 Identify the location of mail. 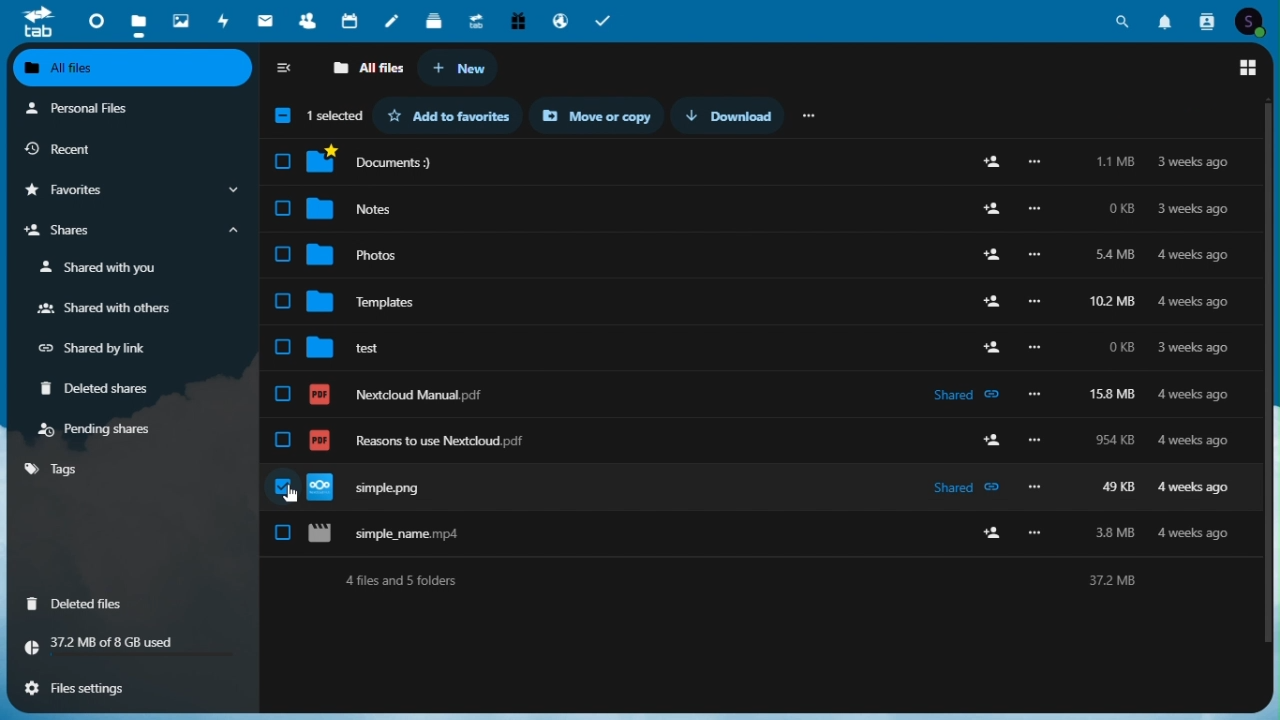
(268, 20).